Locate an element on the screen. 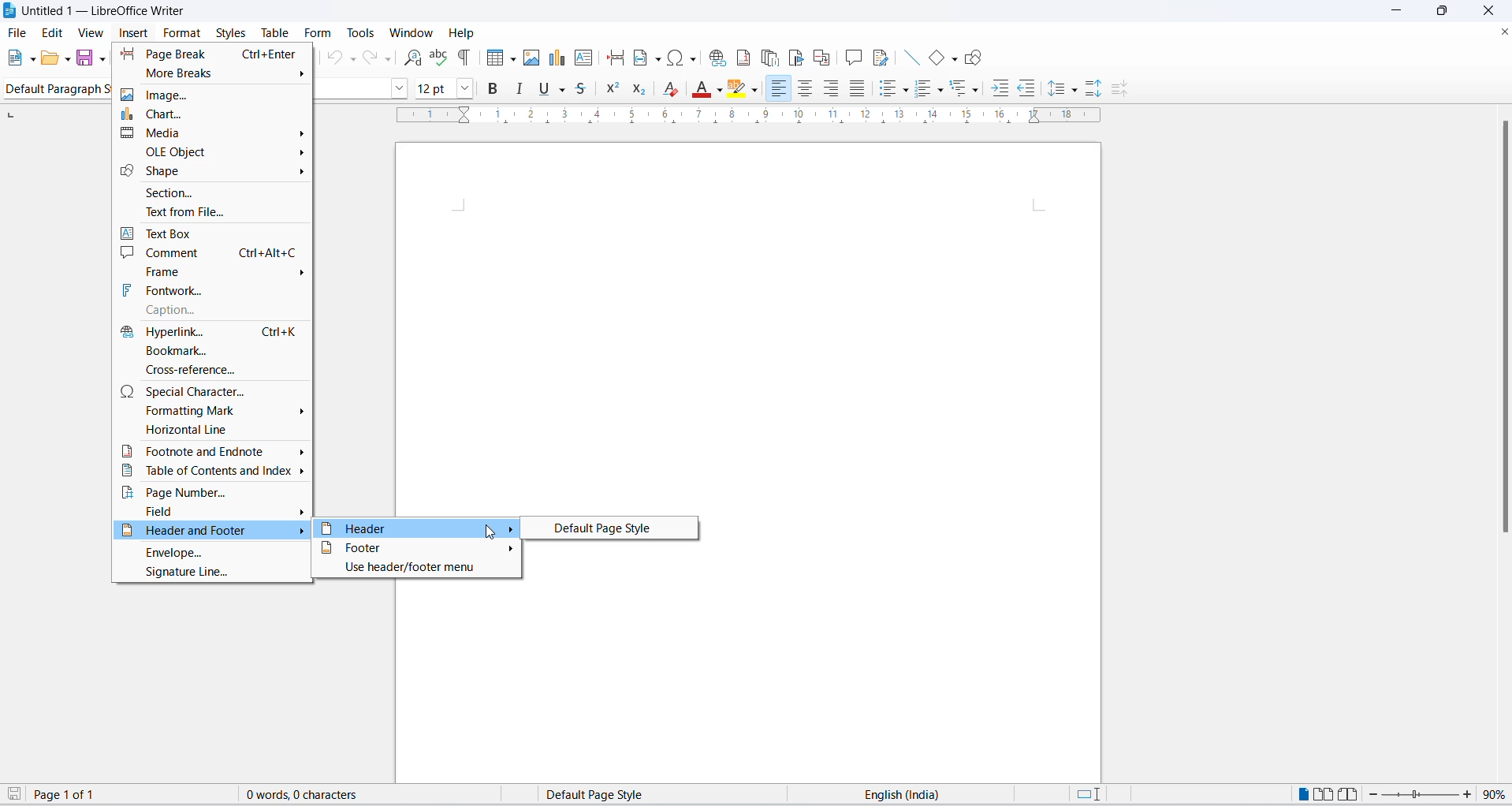  toggle unordered list is located at coordinates (906, 91).